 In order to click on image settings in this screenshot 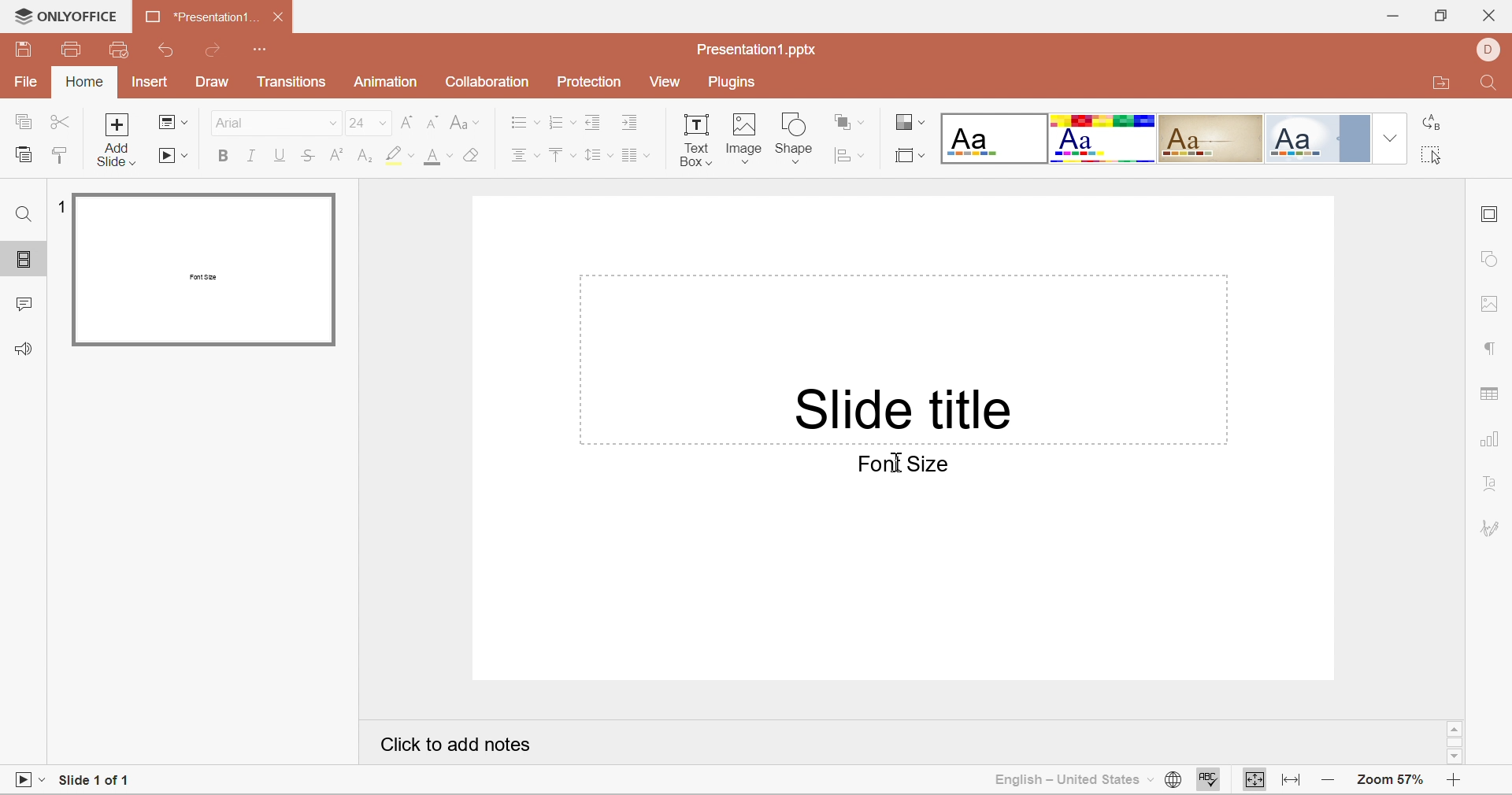, I will do `click(1491, 304)`.